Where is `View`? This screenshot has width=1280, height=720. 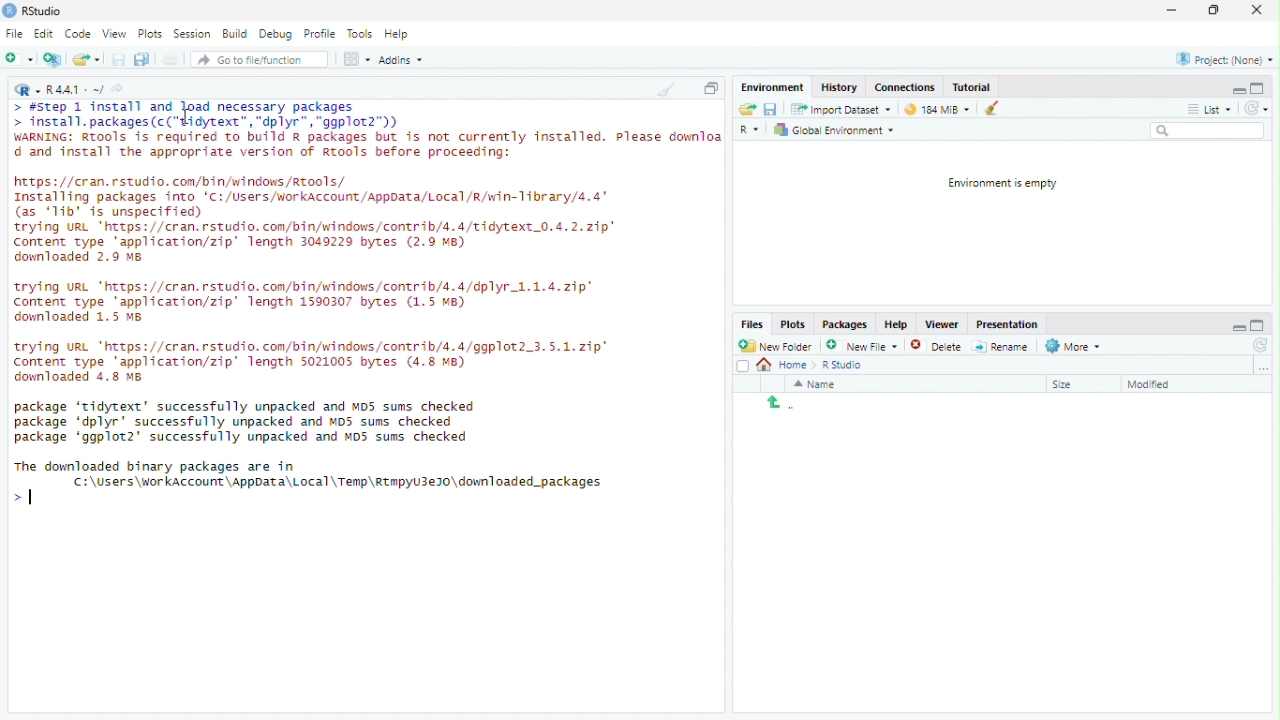
View is located at coordinates (114, 34).